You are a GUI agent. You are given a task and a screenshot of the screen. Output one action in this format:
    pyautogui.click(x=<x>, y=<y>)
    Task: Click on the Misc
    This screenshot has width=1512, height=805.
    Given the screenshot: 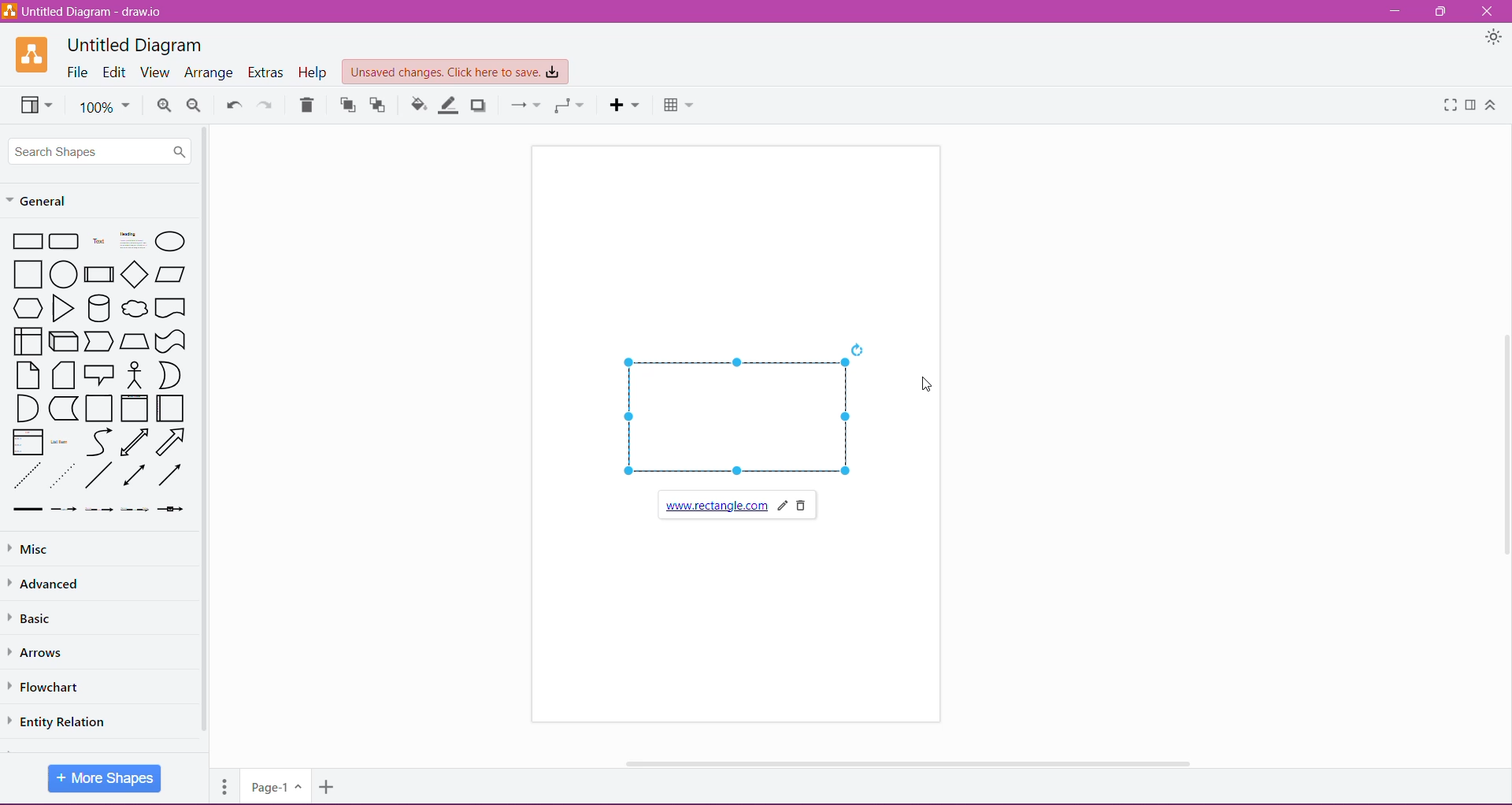 What is the action you would take?
    pyautogui.click(x=35, y=550)
    